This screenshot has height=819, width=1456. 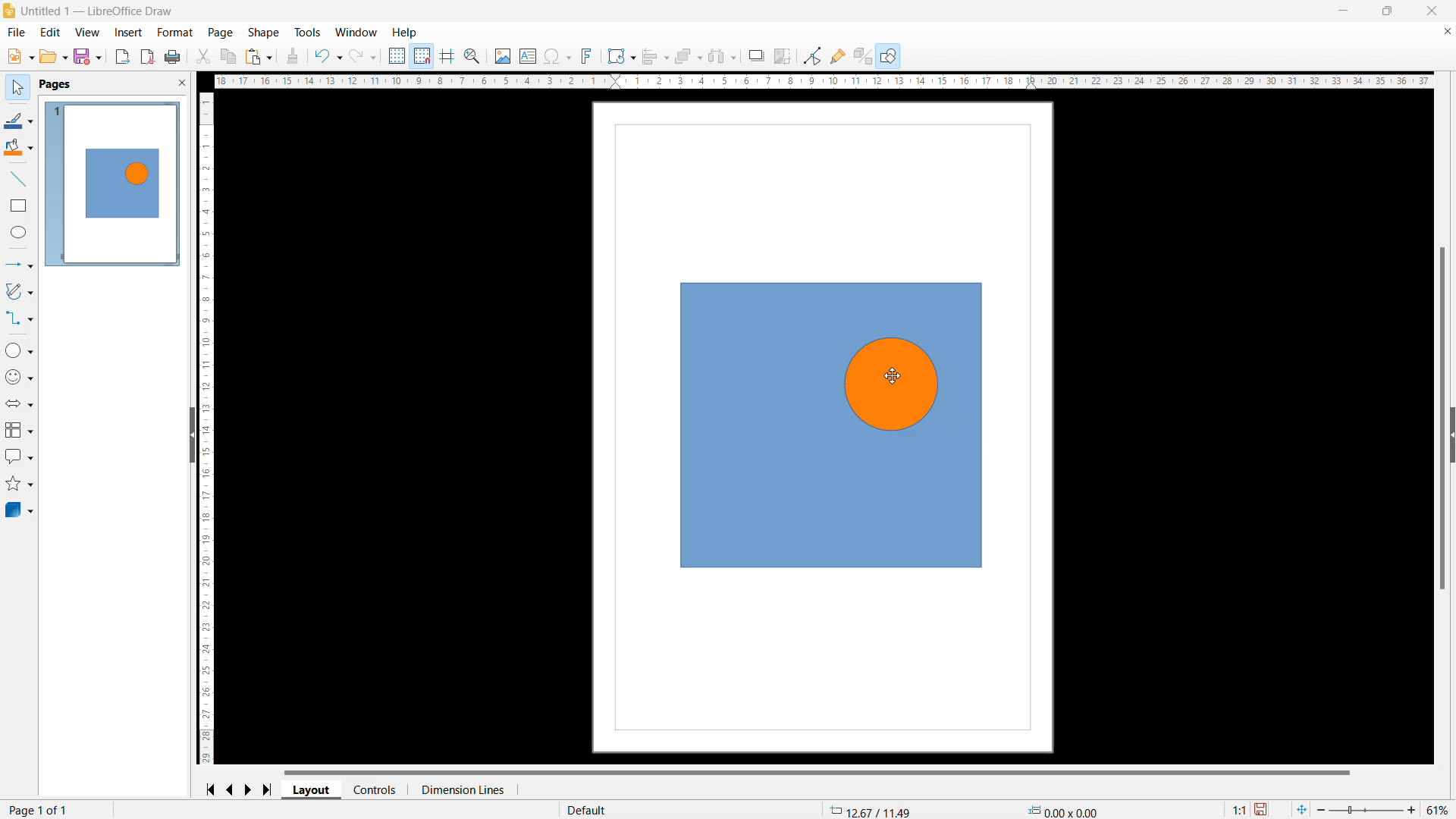 I want to click on toggle point edit mode, so click(x=812, y=55).